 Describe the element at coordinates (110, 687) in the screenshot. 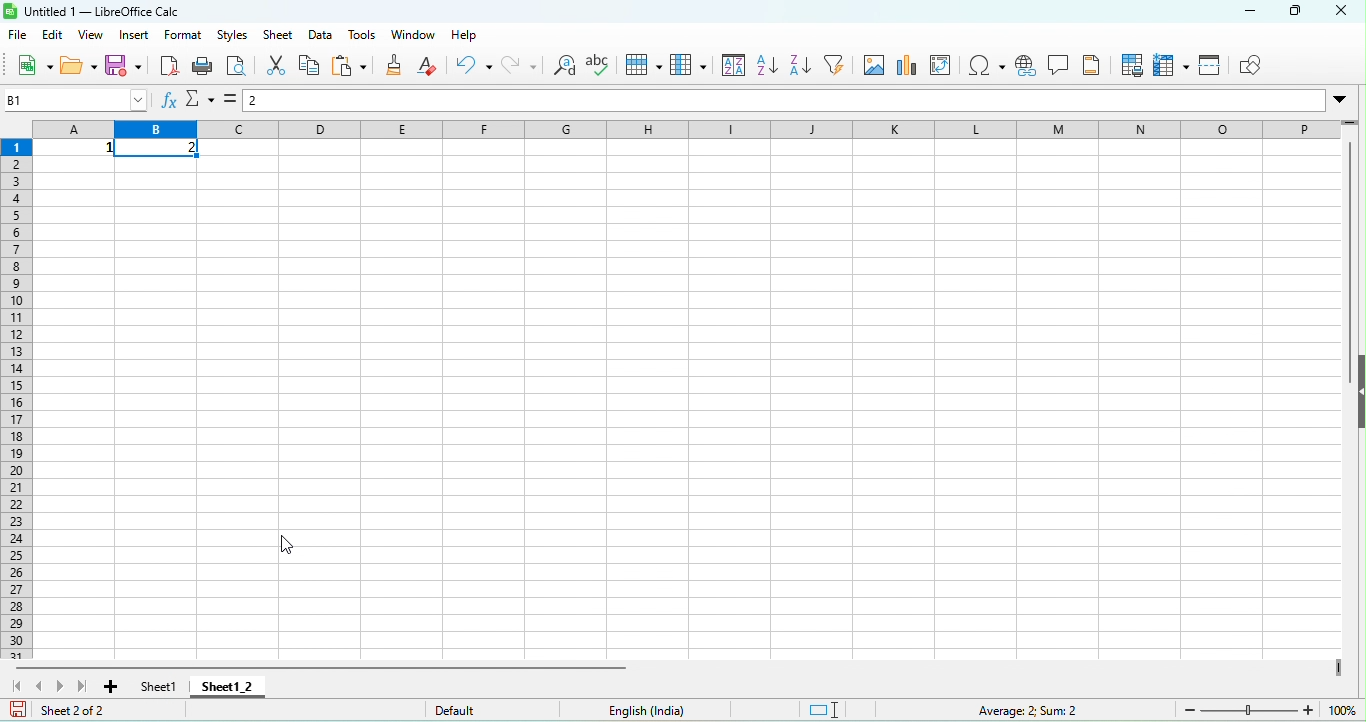

I see `add sheet` at that location.